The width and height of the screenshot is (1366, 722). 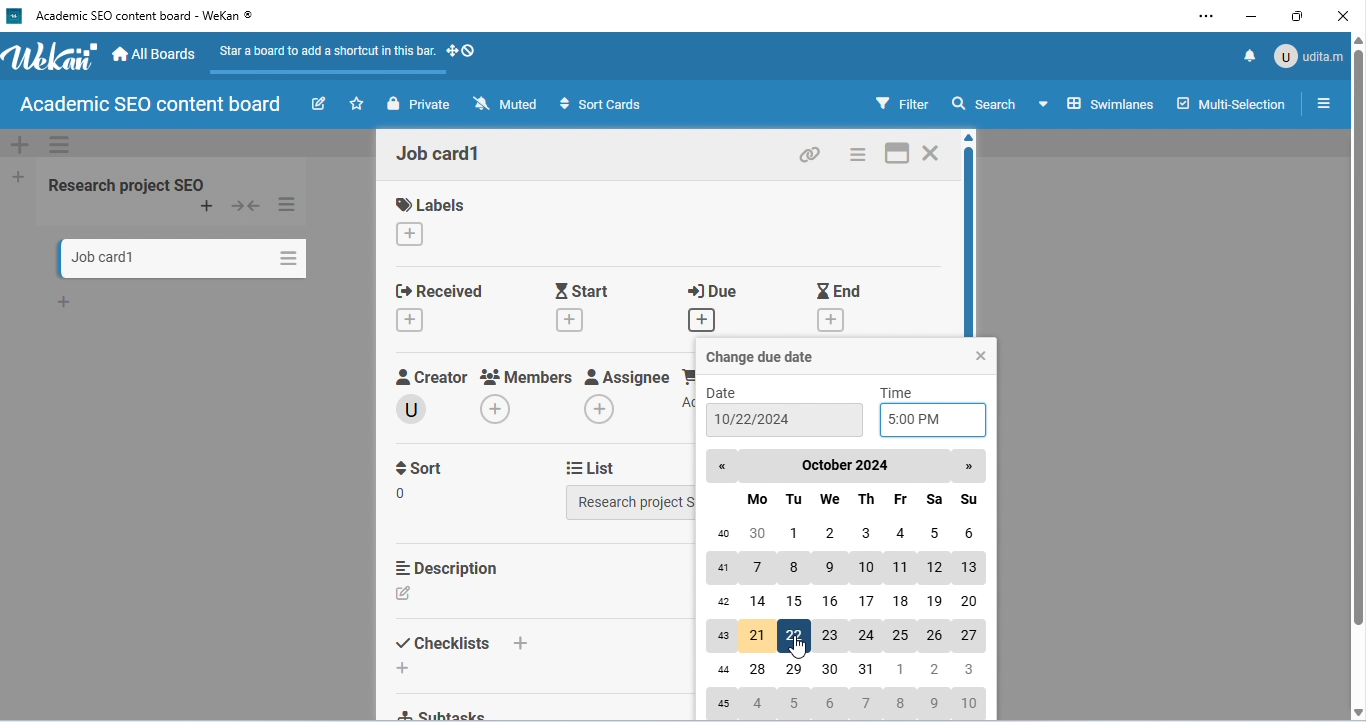 What do you see at coordinates (442, 643) in the screenshot?
I see `checklist` at bounding box center [442, 643].